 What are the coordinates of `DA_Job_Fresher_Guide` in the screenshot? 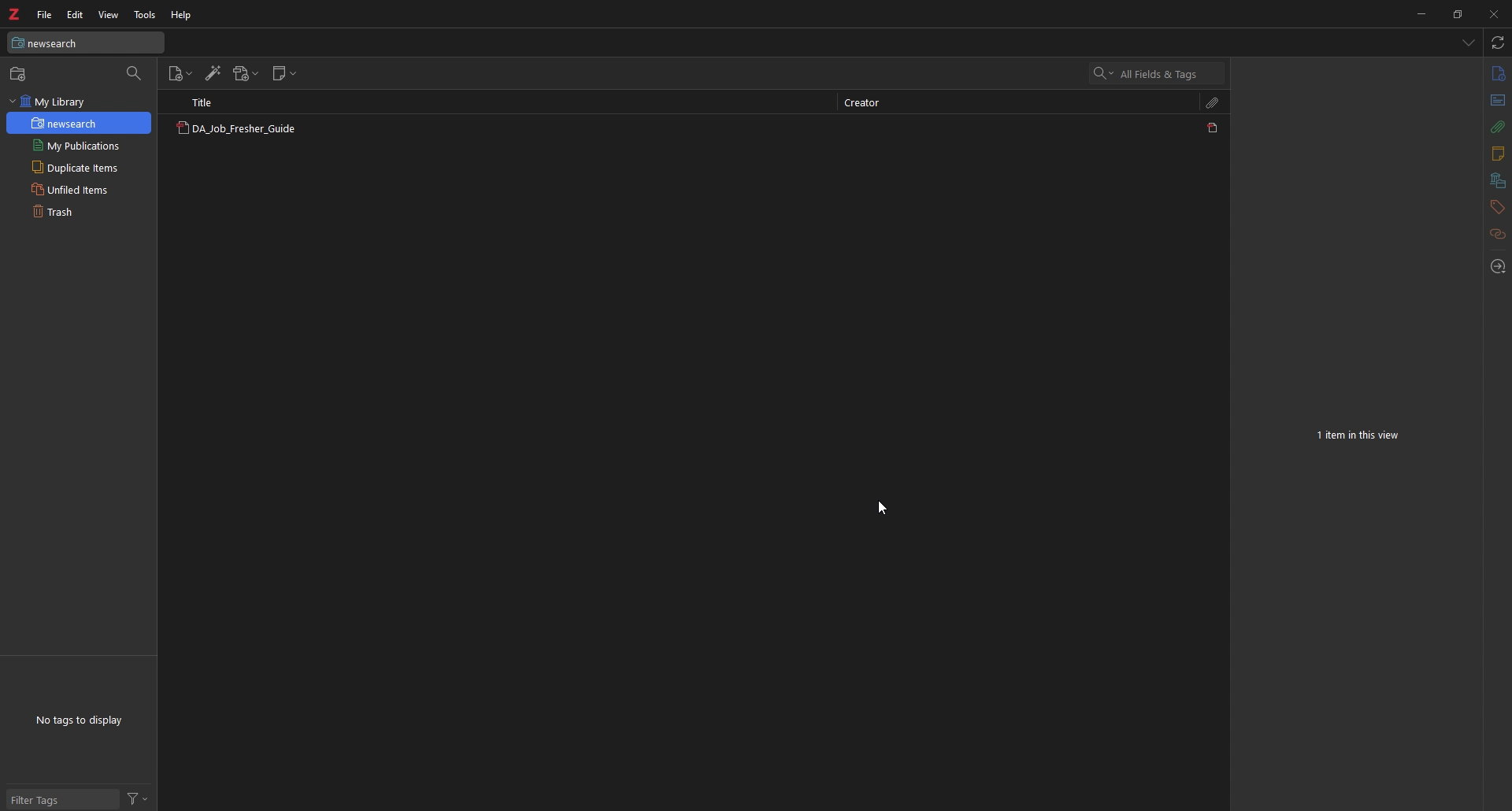 It's located at (235, 130).